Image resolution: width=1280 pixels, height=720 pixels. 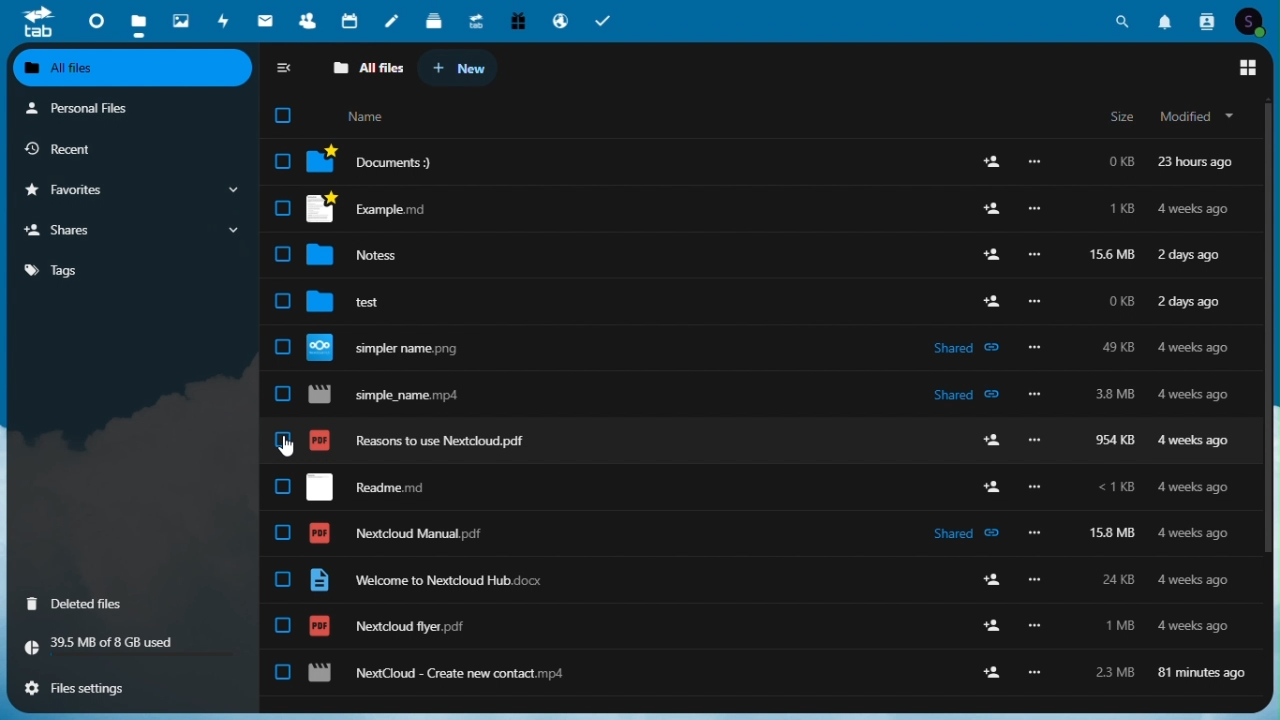 What do you see at coordinates (1204, 670) in the screenshot?
I see `81 minutes ago` at bounding box center [1204, 670].